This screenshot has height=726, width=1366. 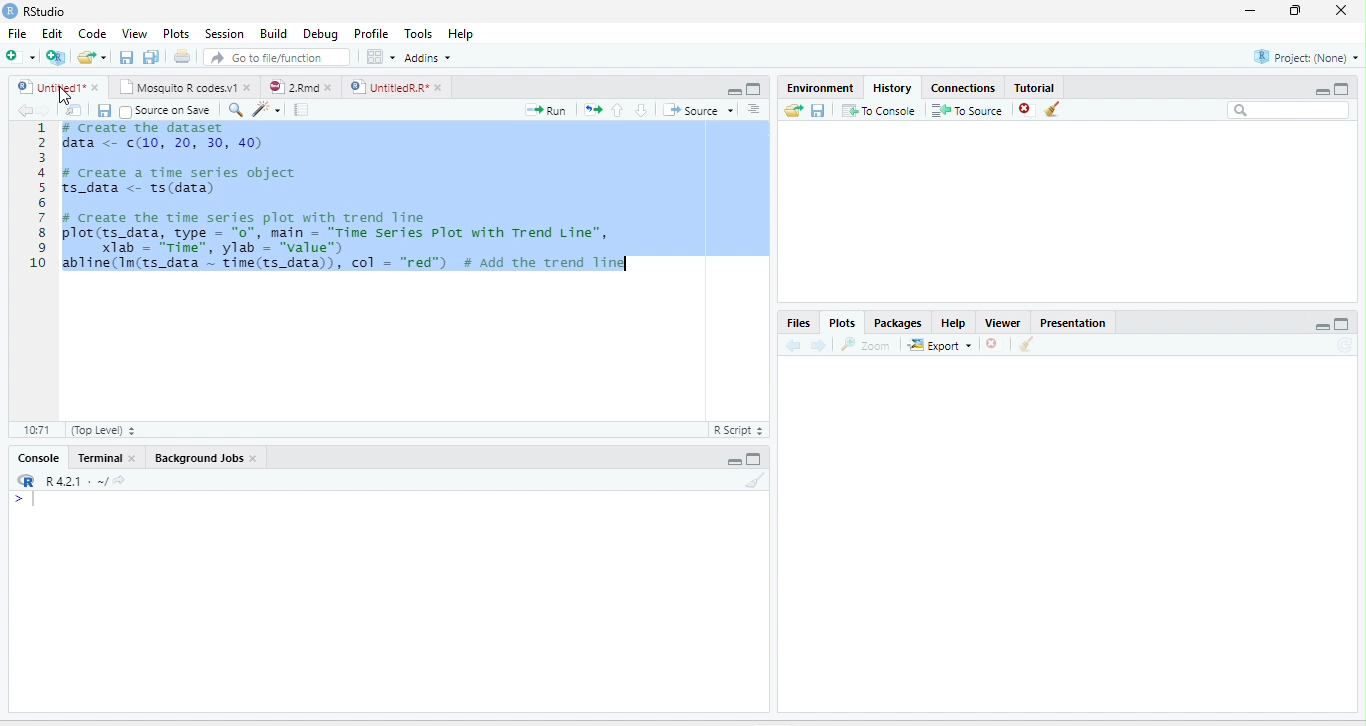 I want to click on Addins, so click(x=428, y=58).